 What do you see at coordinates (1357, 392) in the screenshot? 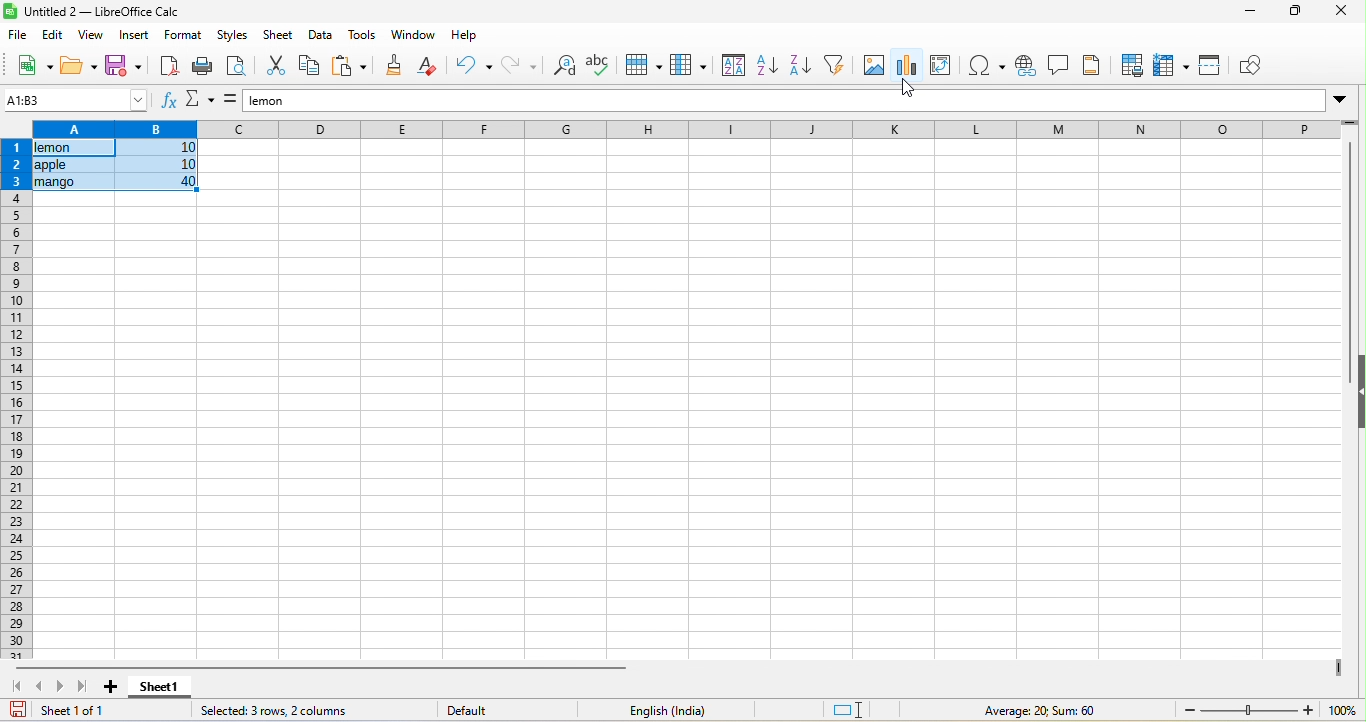
I see `height` at bounding box center [1357, 392].